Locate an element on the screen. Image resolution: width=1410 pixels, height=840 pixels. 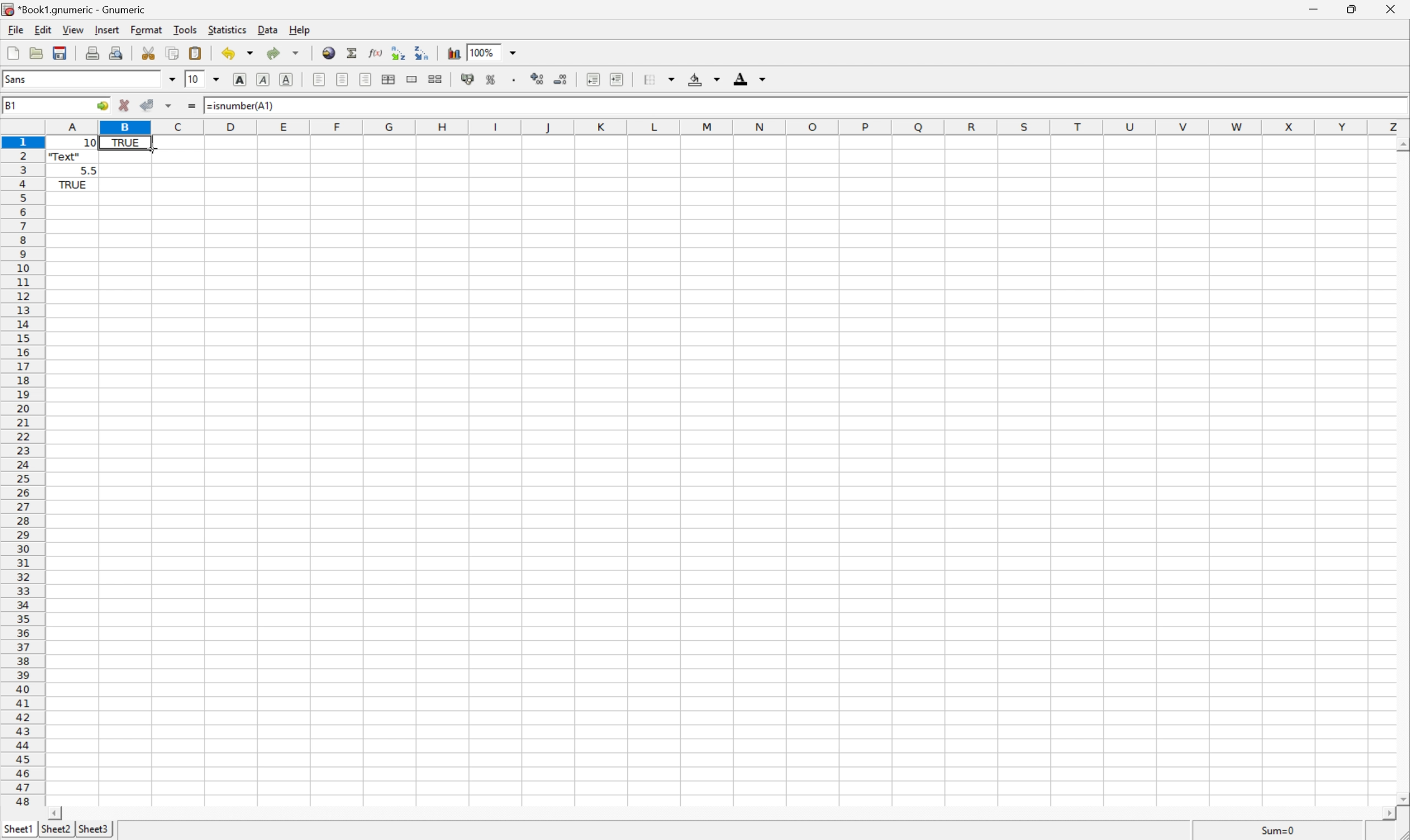
View is located at coordinates (73, 28).